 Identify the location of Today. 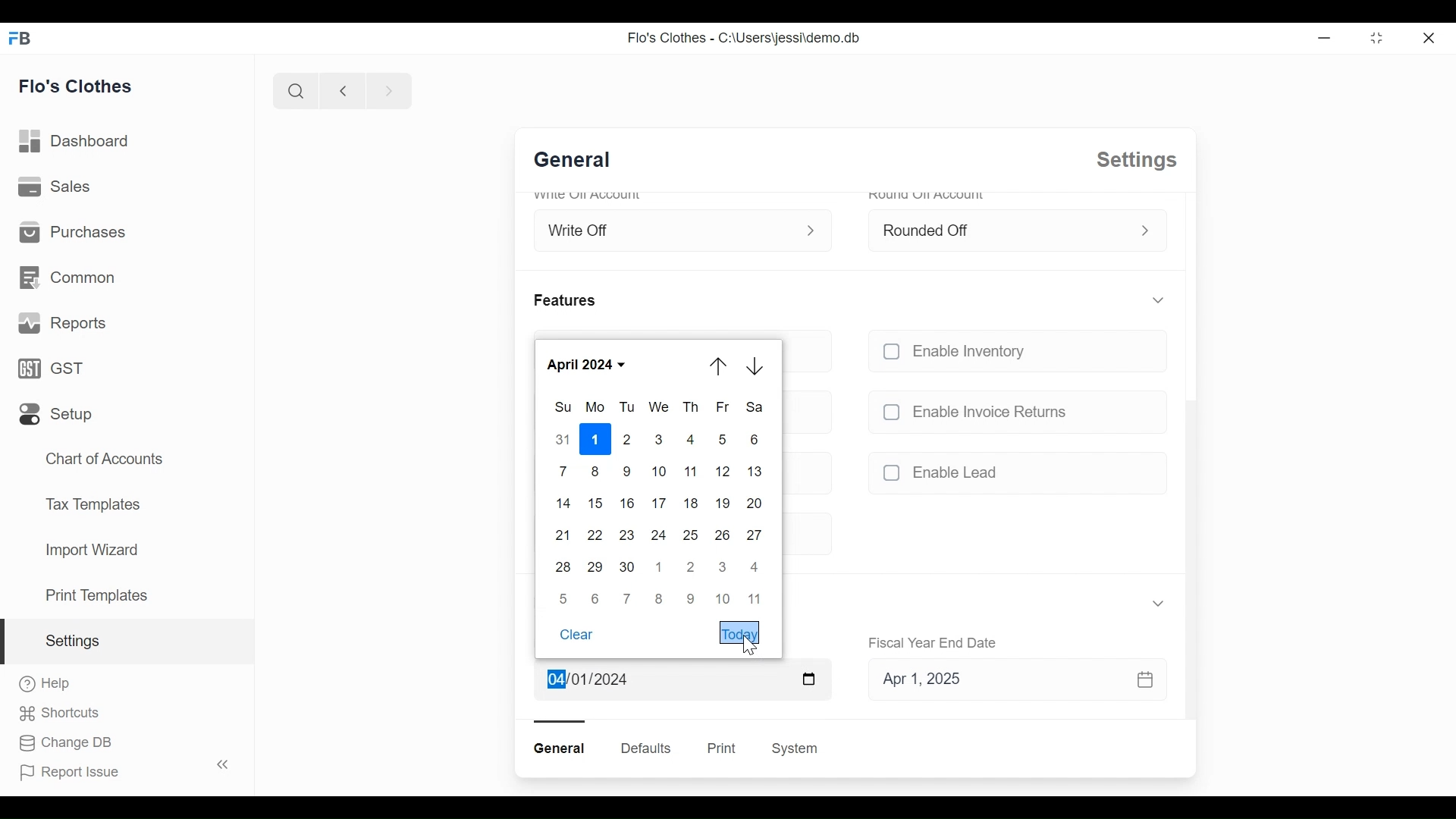
(742, 633).